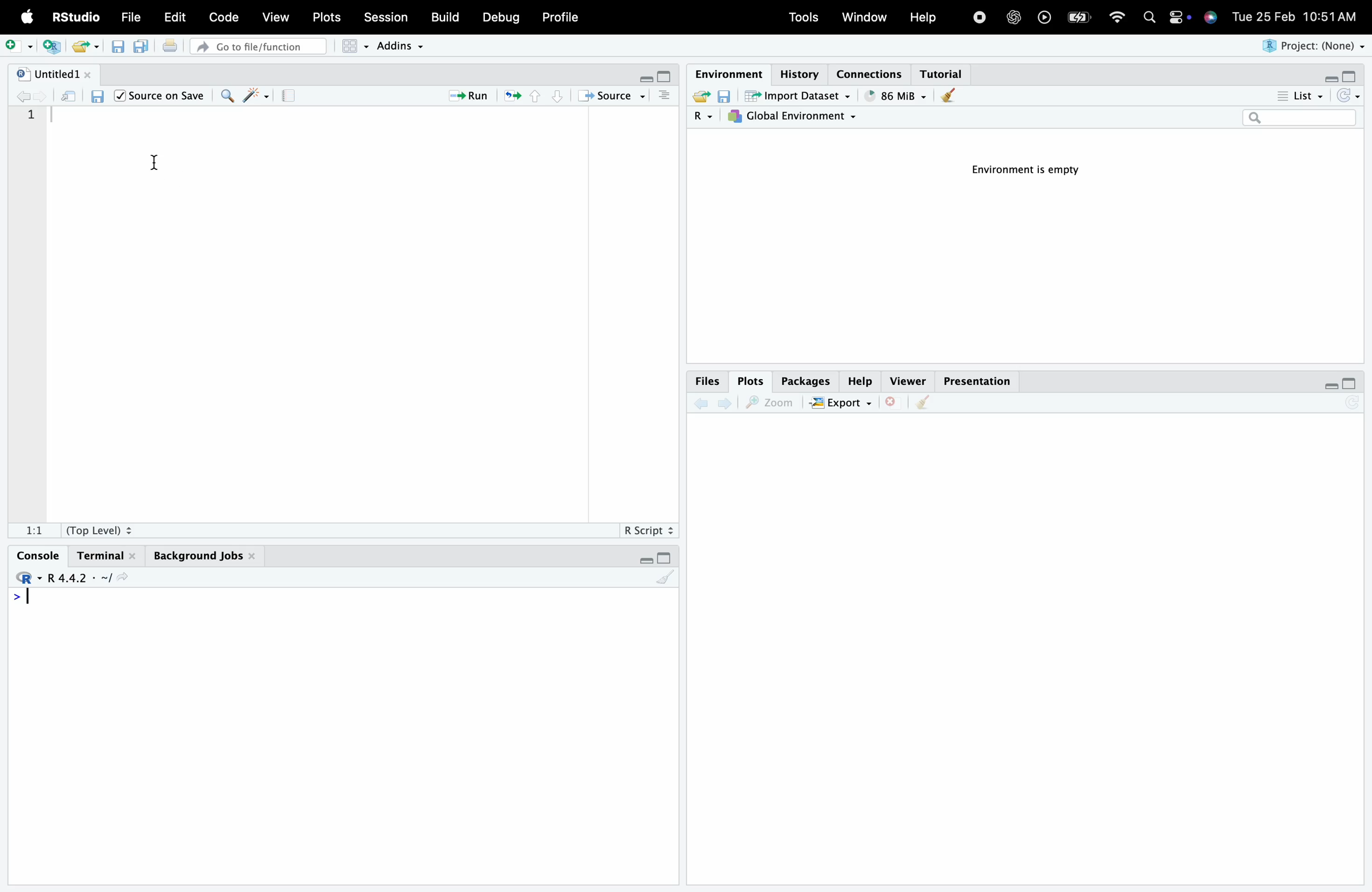 The width and height of the screenshot is (1372, 892). Describe the element at coordinates (448, 16) in the screenshot. I see `Build` at that location.